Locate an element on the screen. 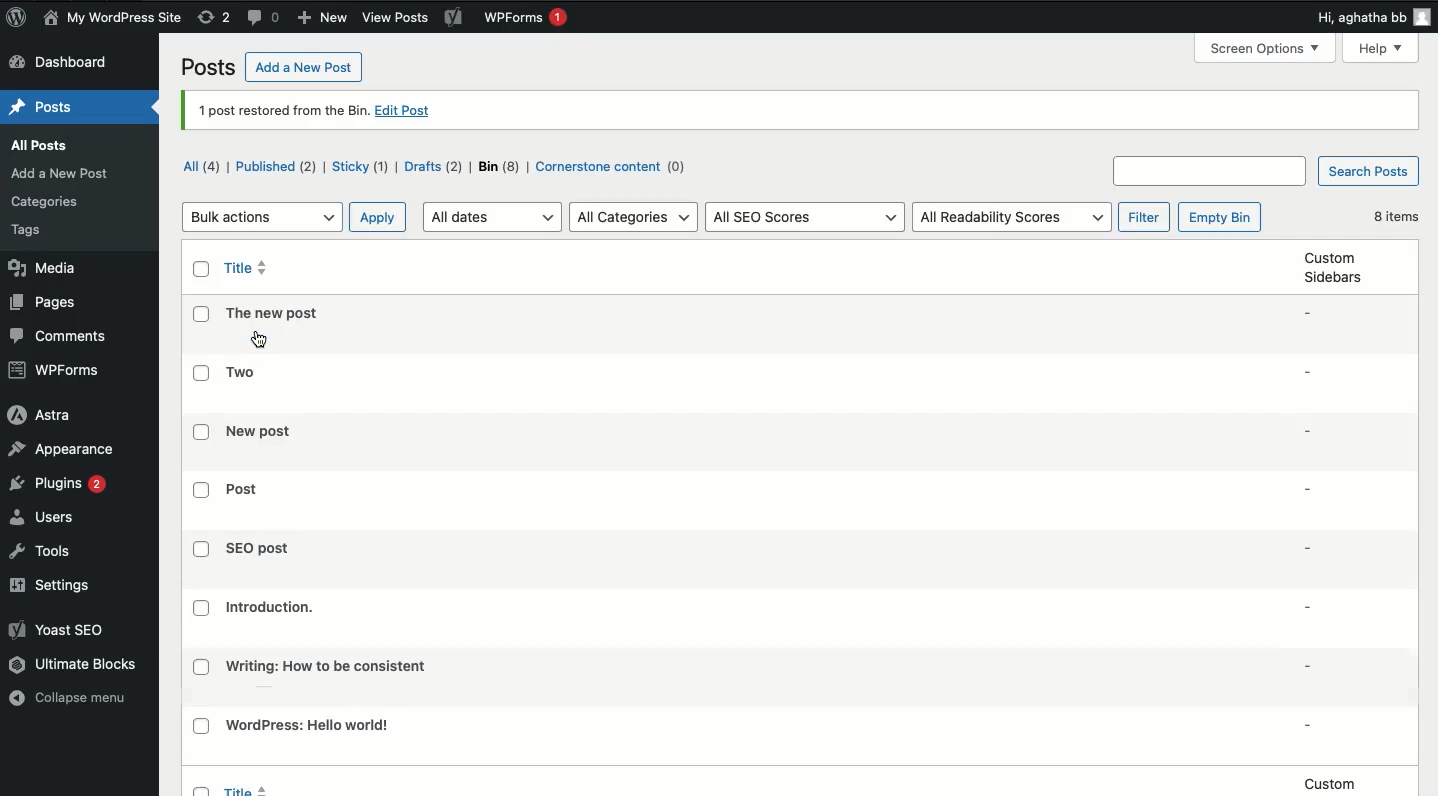  Checkbox is located at coordinates (201, 607).